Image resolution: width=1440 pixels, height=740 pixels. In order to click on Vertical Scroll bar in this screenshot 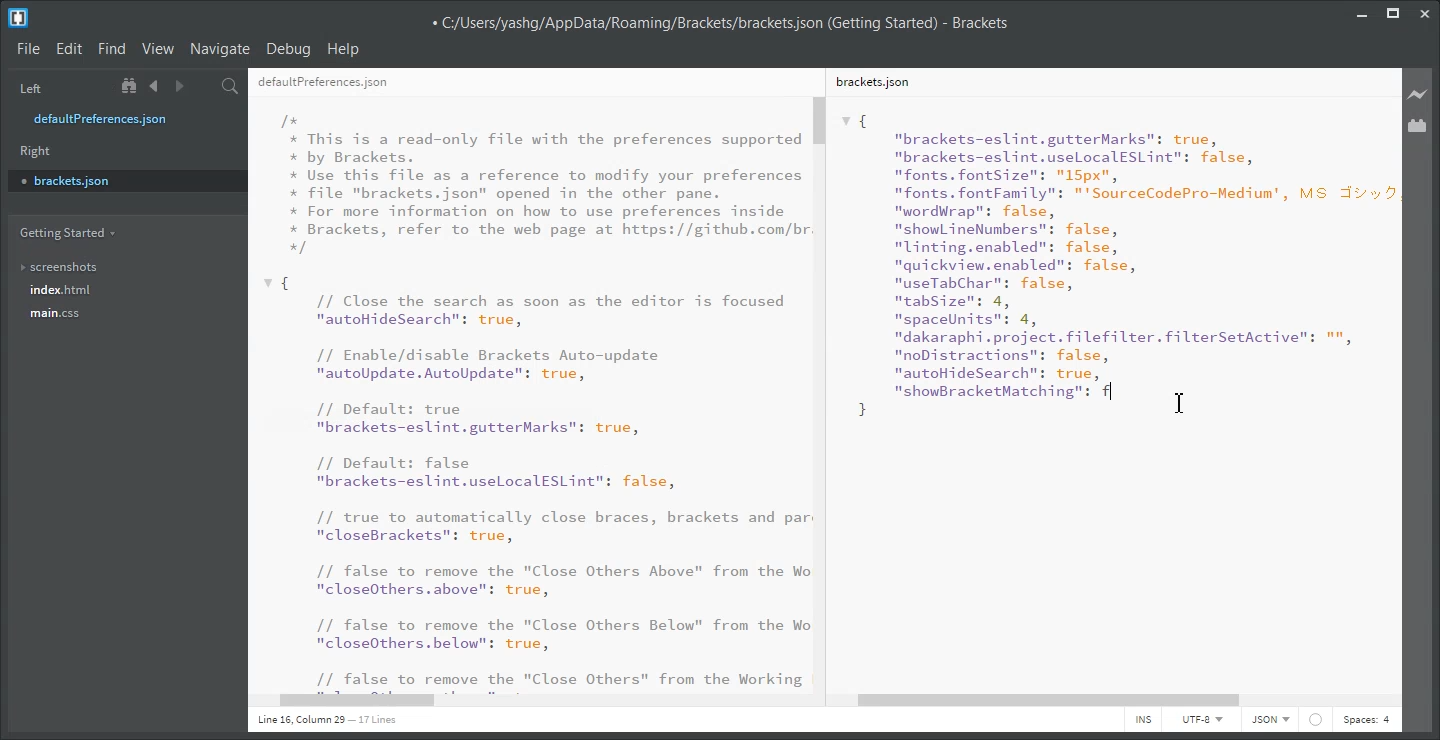, I will do `click(823, 392)`.